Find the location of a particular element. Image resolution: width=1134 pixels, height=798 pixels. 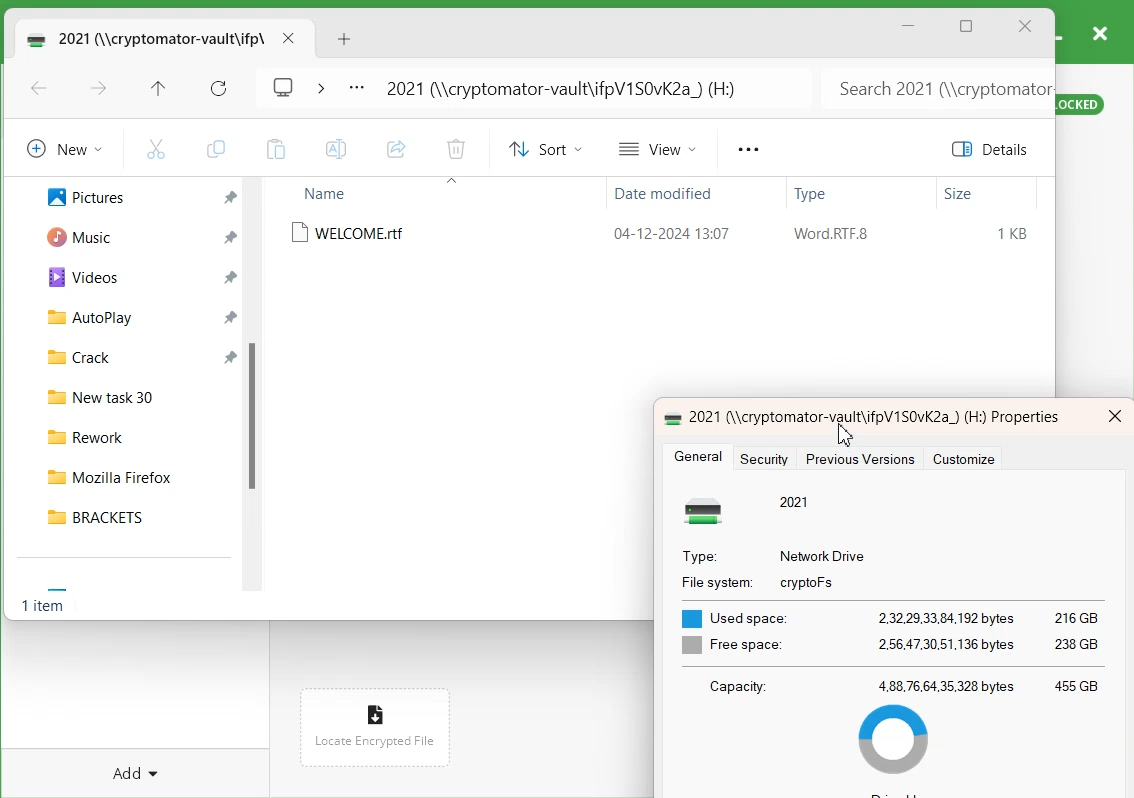

icon is located at coordinates (710, 511).